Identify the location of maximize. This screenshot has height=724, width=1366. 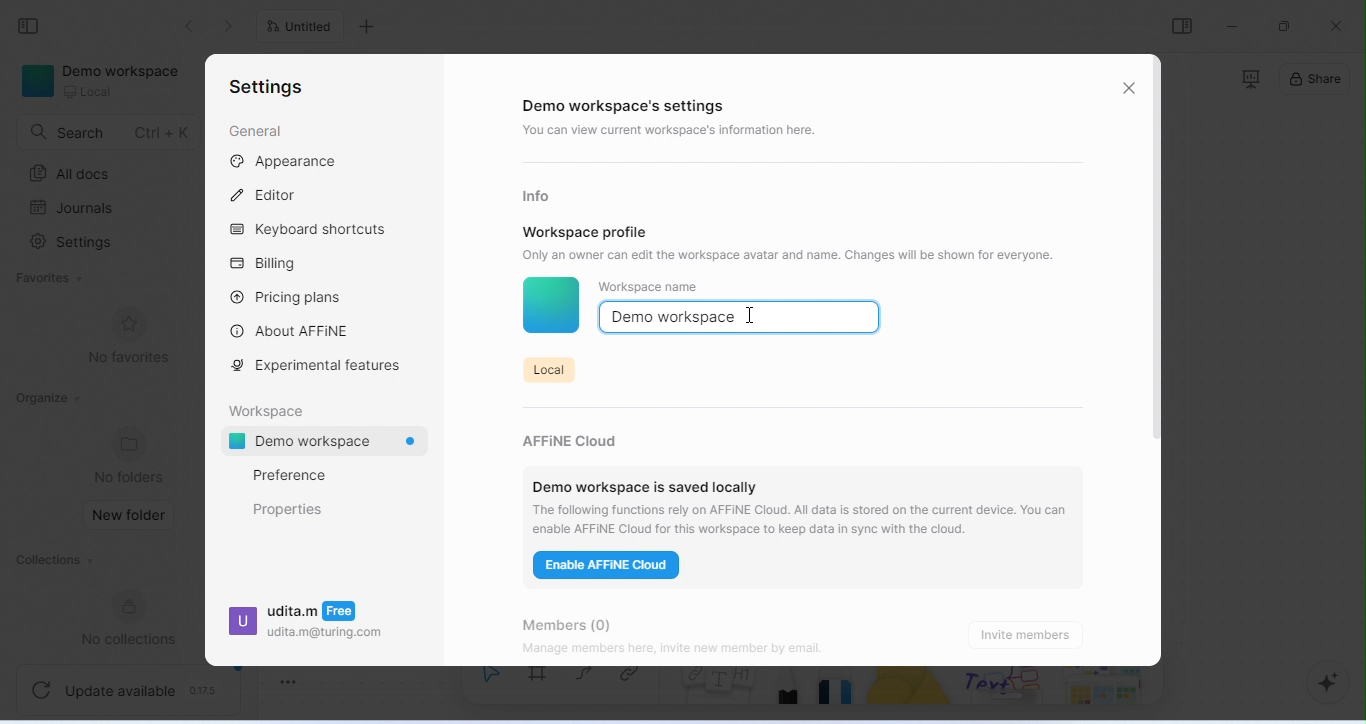
(1287, 25).